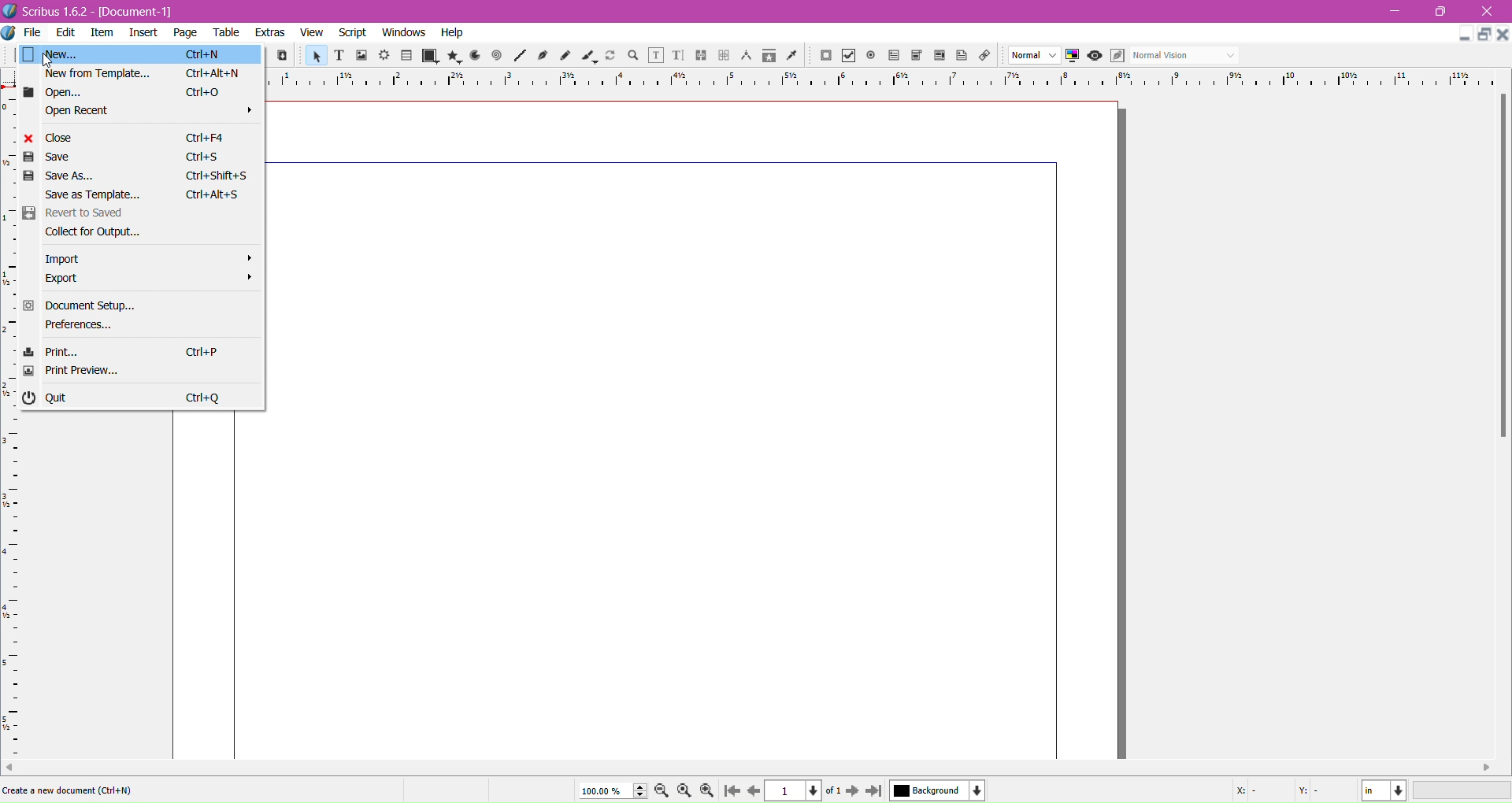 This screenshot has width=1512, height=803. What do you see at coordinates (67, 31) in the screenshot?
I see `Edit` at bounding box center [67, 31].